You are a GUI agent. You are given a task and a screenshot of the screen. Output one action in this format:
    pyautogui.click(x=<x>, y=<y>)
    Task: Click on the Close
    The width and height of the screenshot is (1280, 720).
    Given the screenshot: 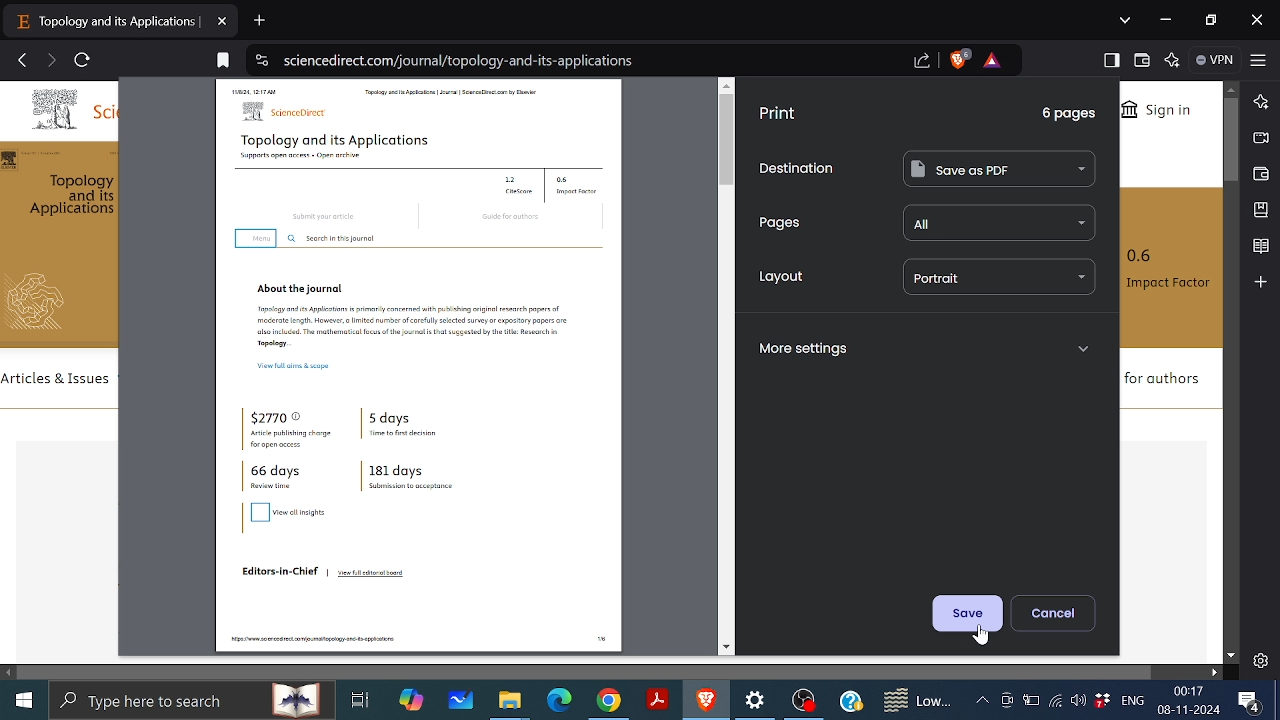 What is the action you would take?
    pyautogui.click(x=1258, y=19)
    